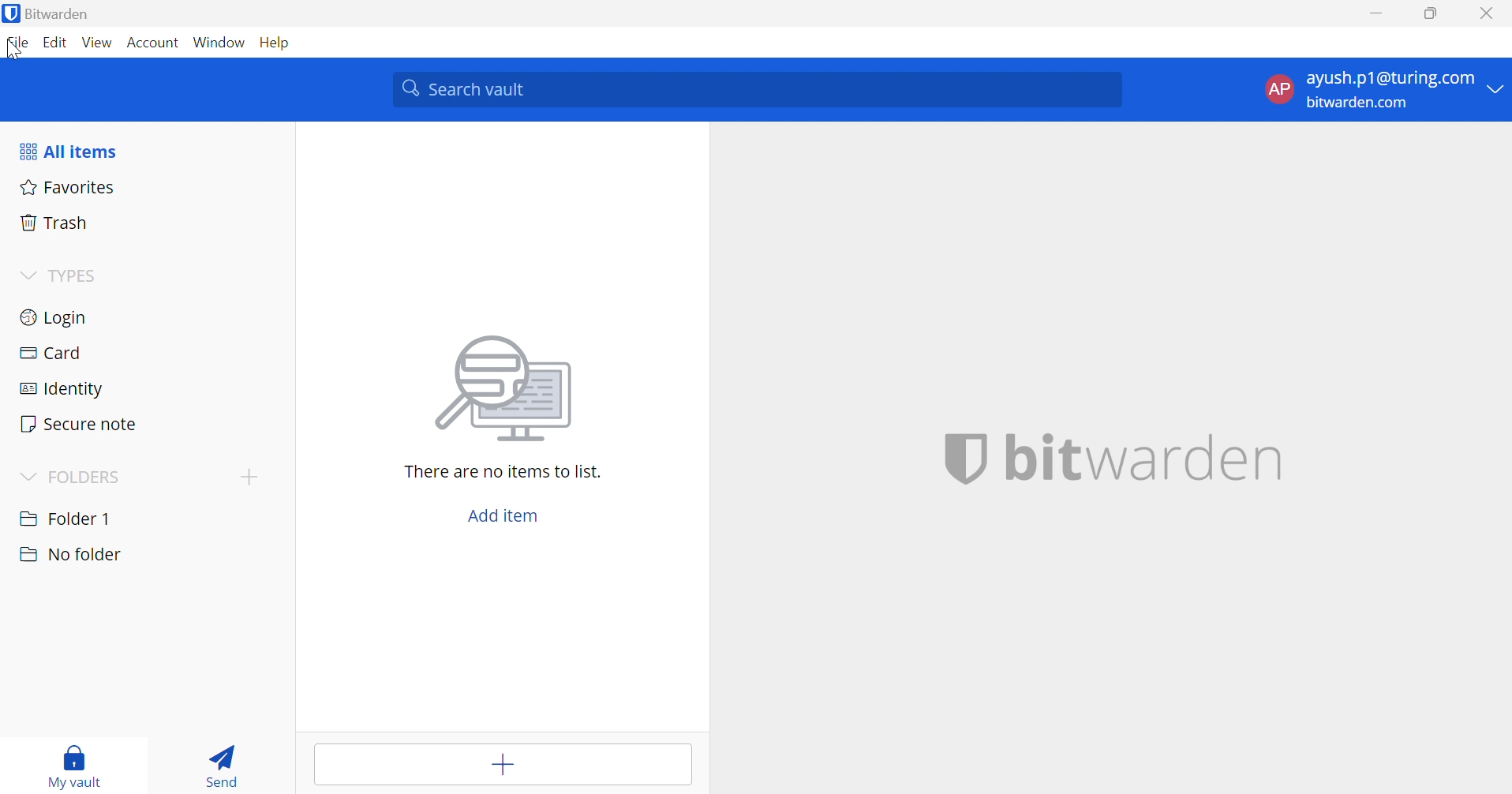 This screenshot has width=1512, height=794. I want to click on FOLDERS, so click(89, 475).